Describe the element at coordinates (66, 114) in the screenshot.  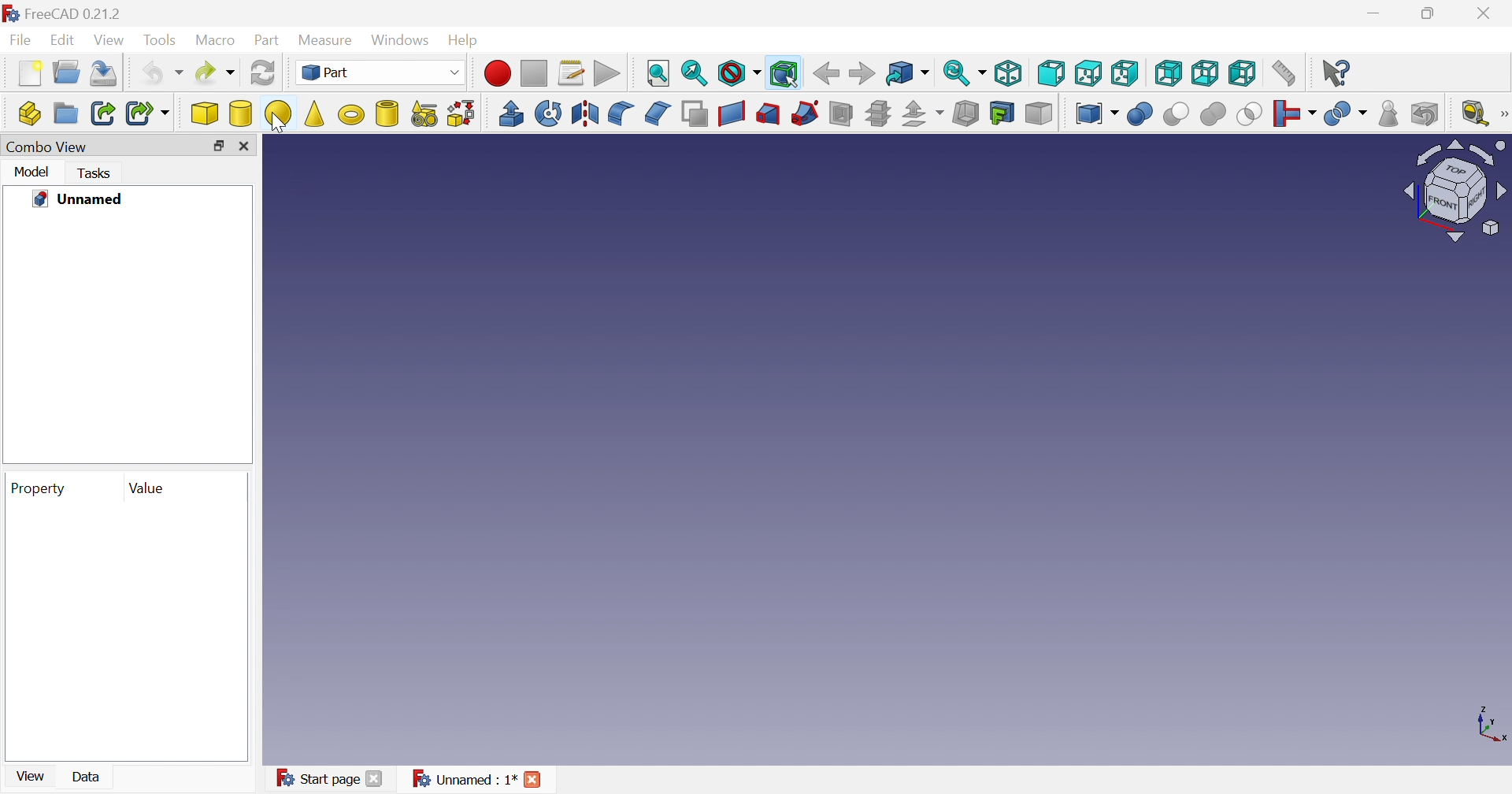
I see `Create group` at that location.